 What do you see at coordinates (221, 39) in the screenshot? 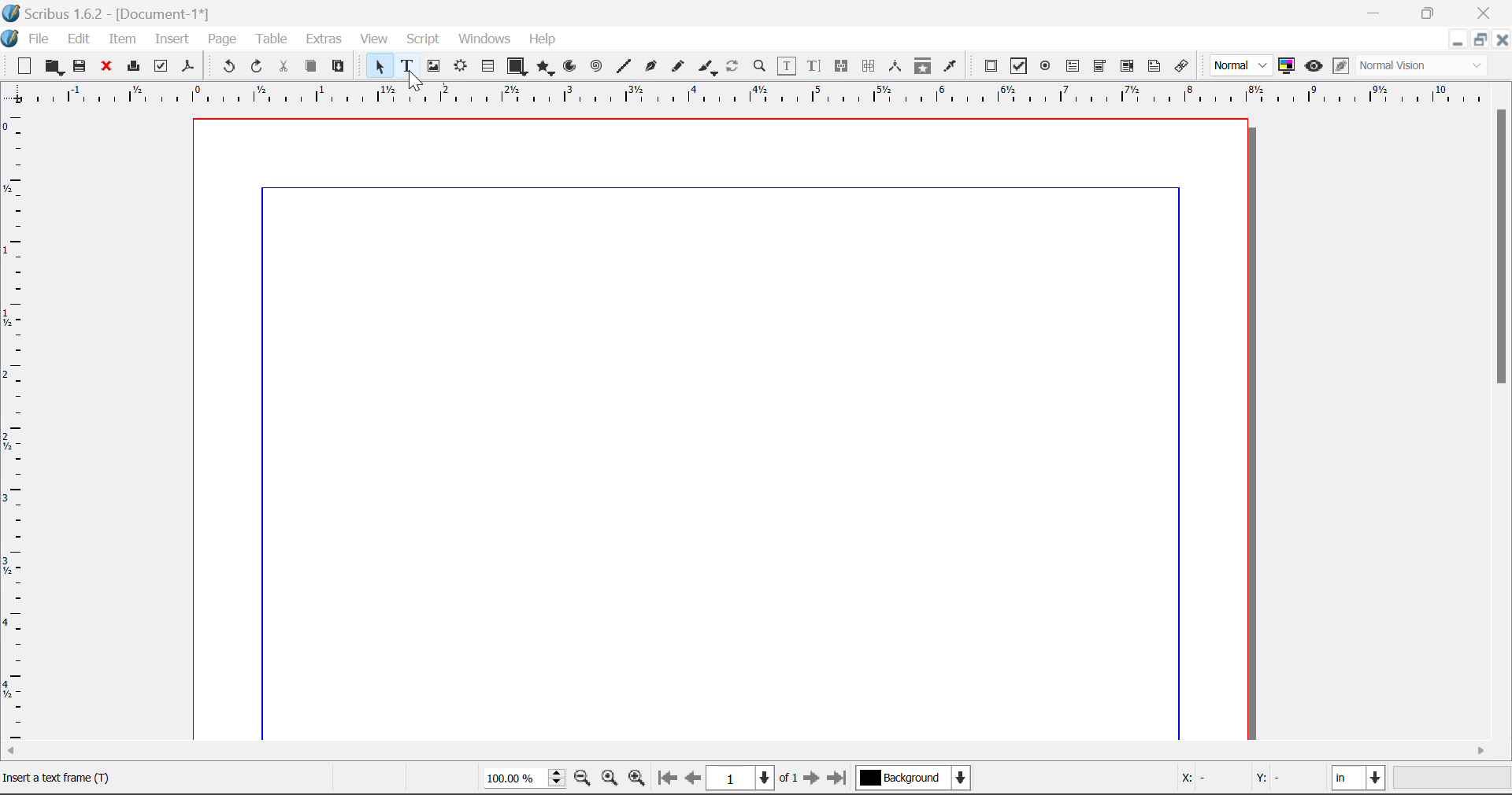
I see `Page` at bounding box center [221, 39].